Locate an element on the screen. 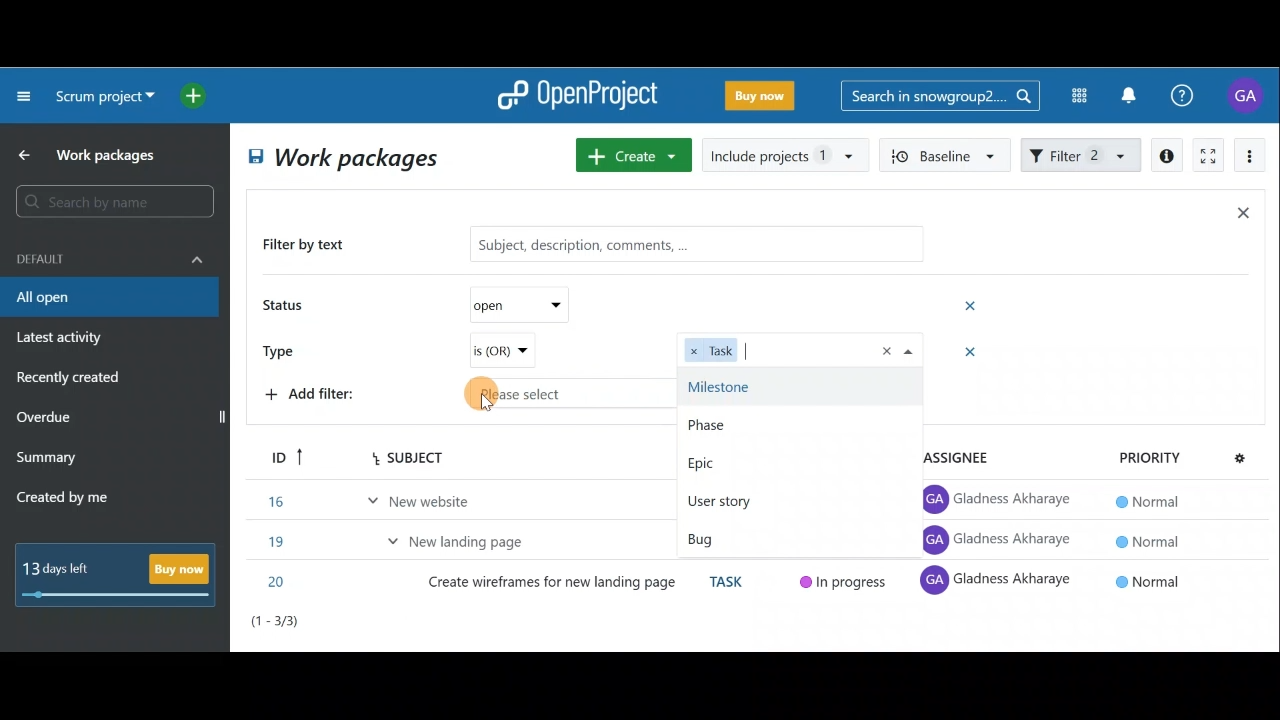 Image resolution: width=1280 pixels, height=720 pixels. Summary is located at coordinates (47, 460).